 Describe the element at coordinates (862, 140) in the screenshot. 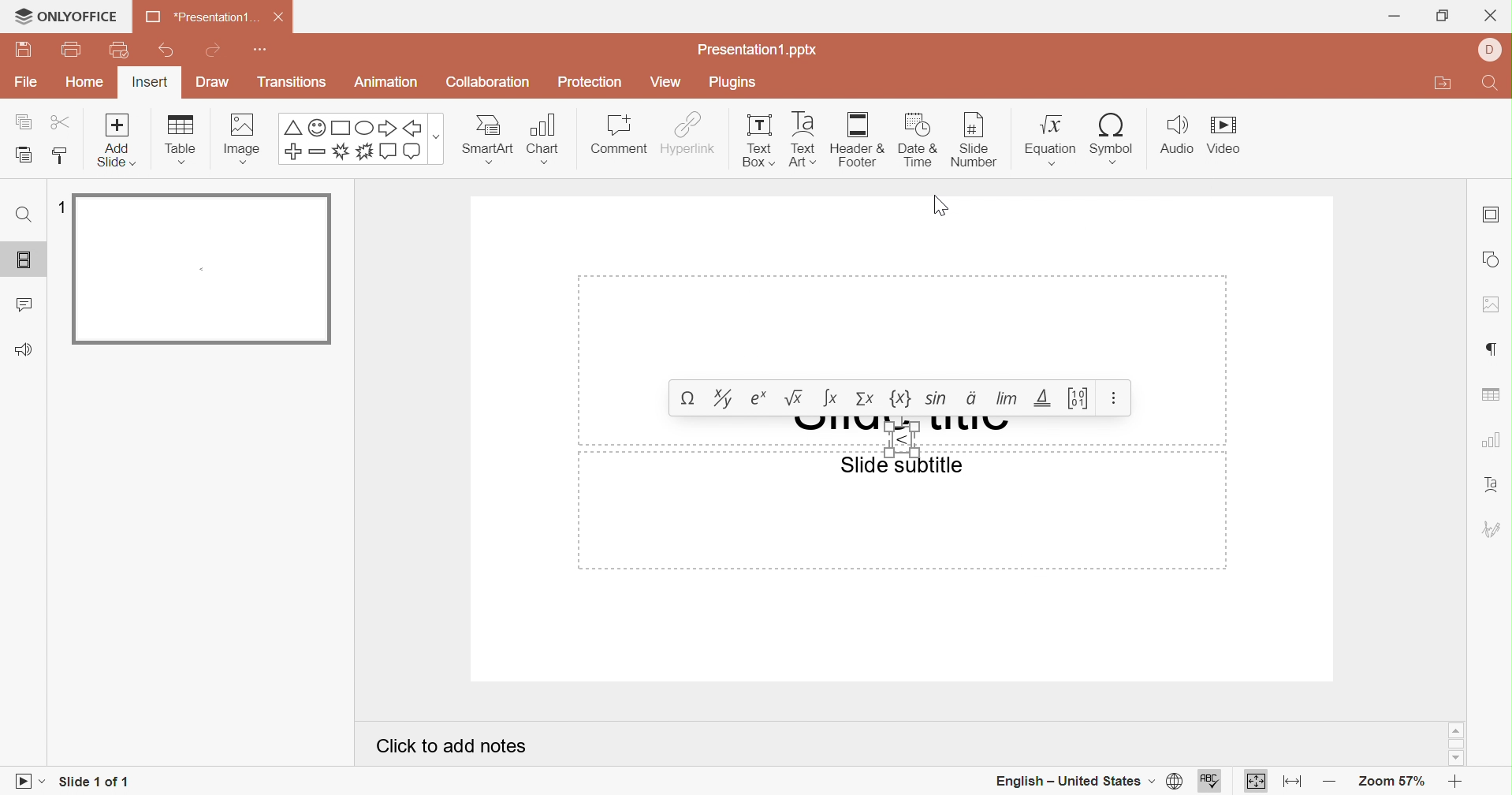

I see `Header & Footer` at that location.